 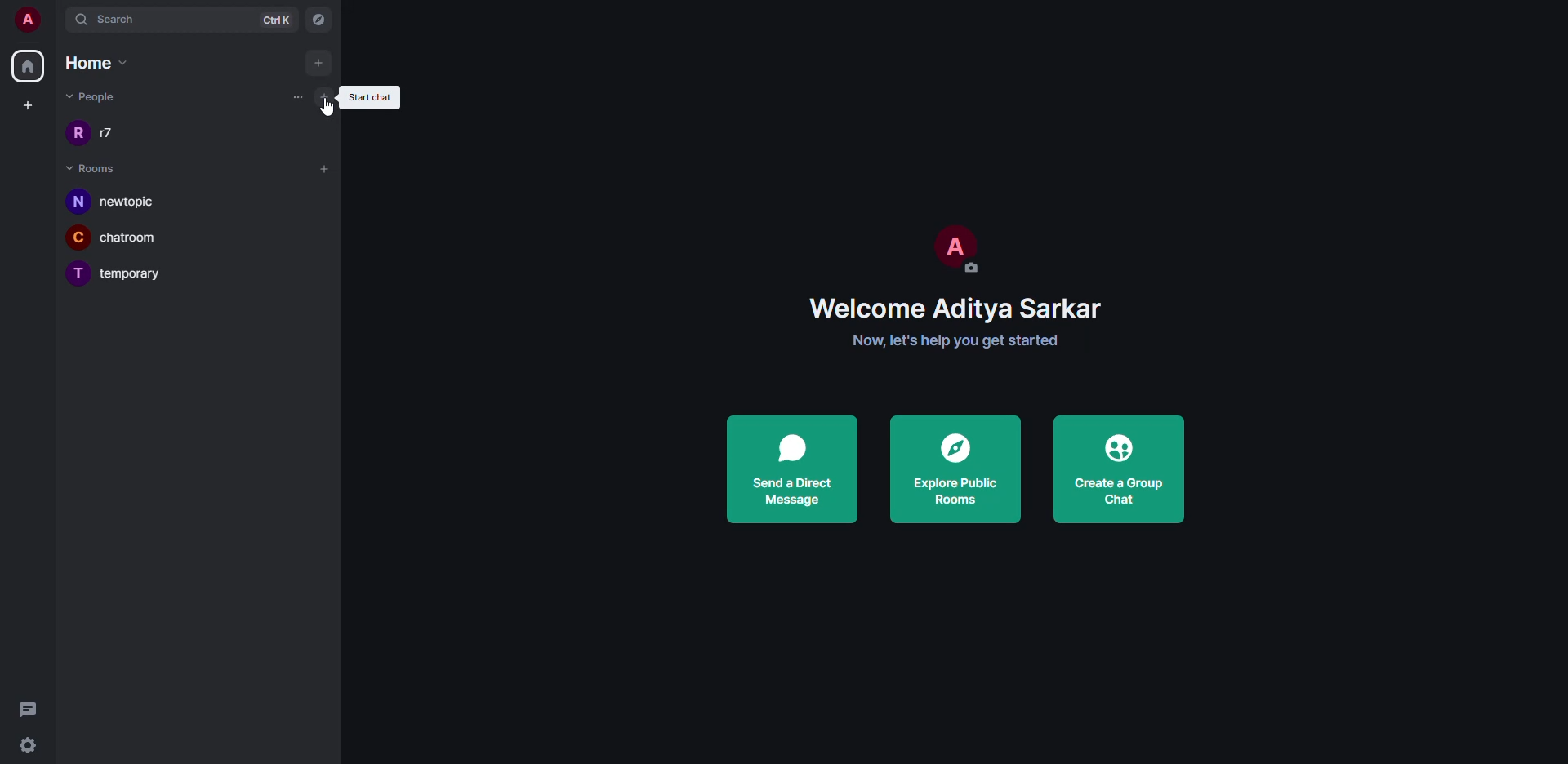 I want to click on C, so click(x=79, y=237).